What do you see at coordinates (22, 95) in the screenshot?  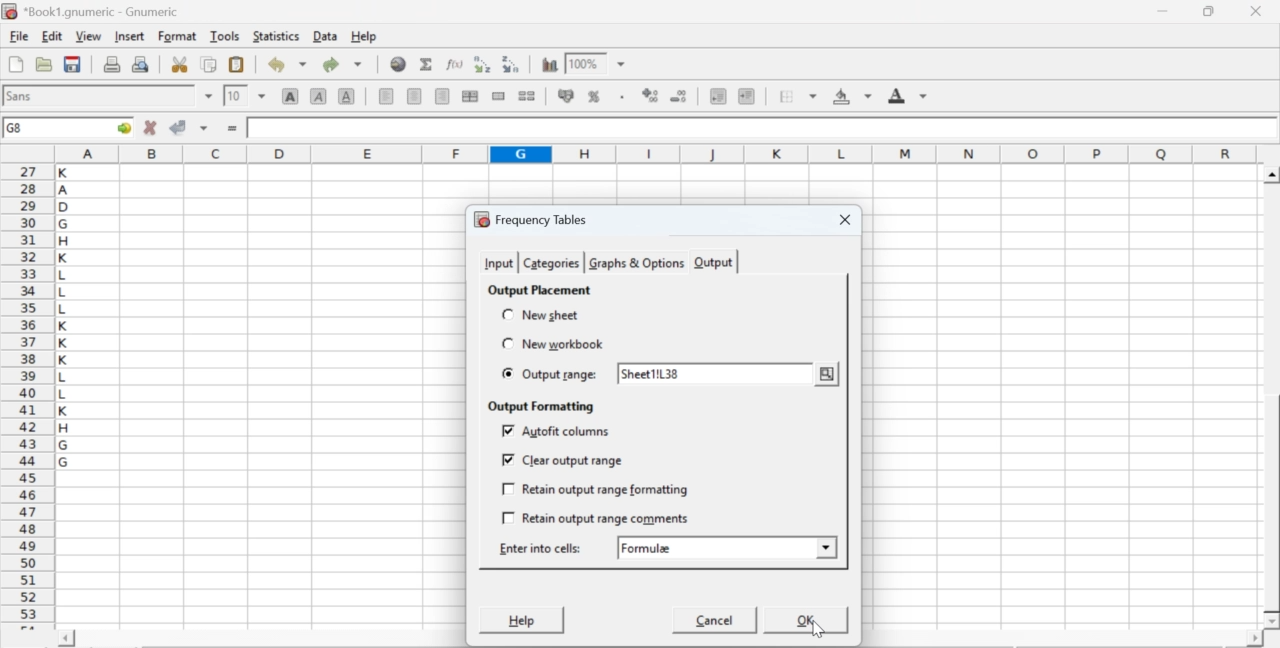 I see `font` at bounding box center [22, 95].